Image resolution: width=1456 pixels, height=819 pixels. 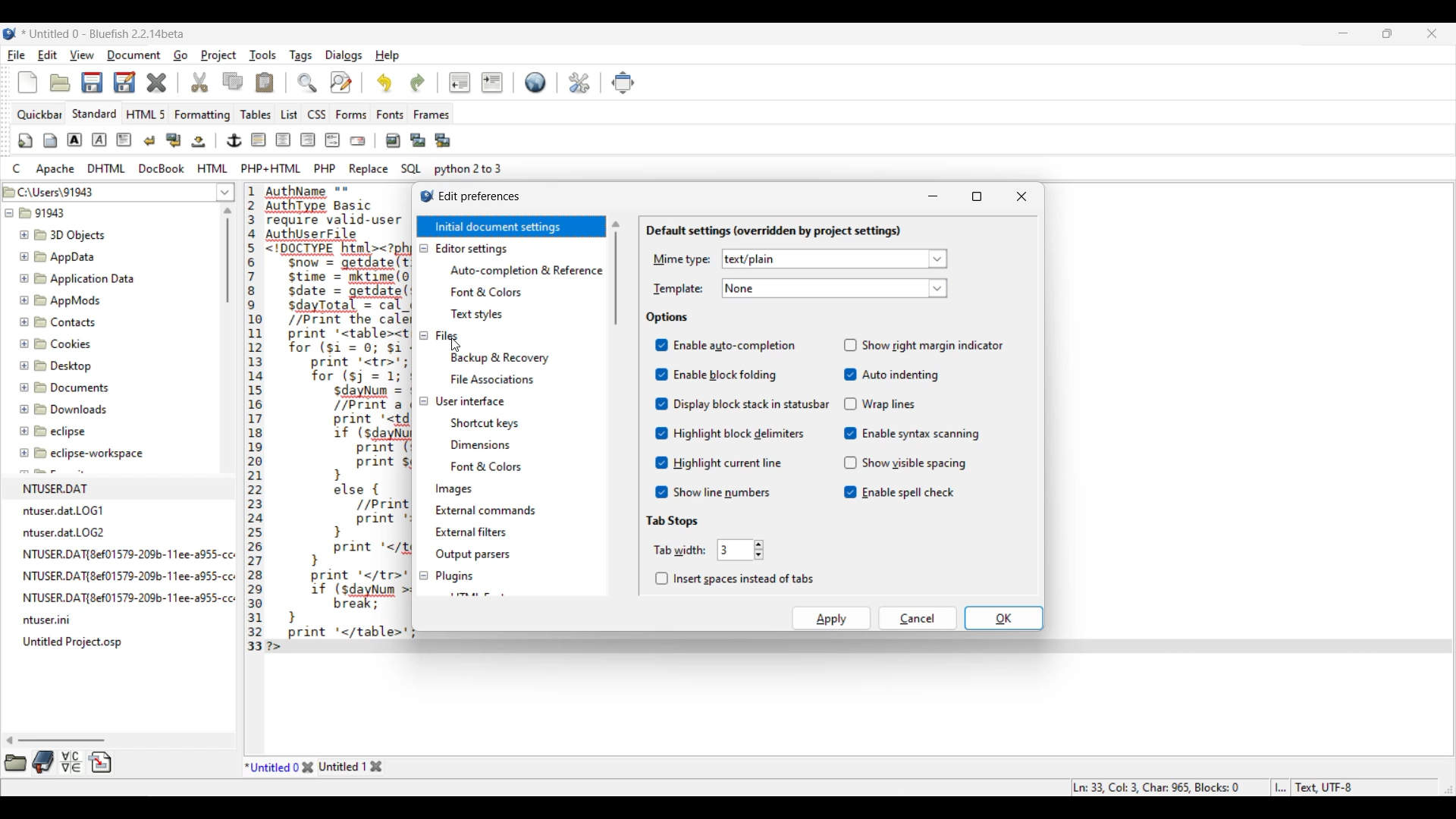 I want to click on Close, so click(x=1022, y=196).